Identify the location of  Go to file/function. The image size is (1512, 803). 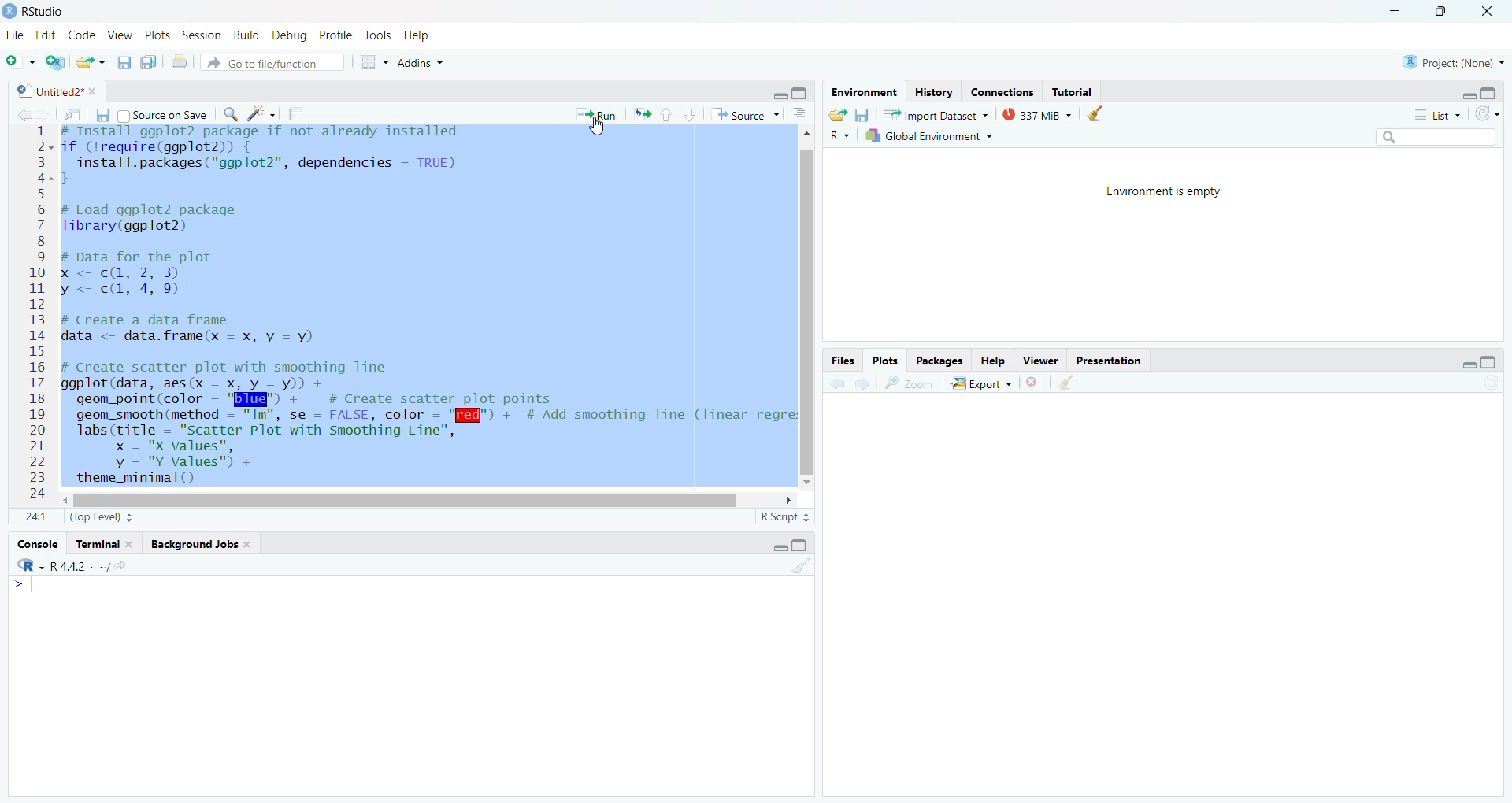
(270, 62).